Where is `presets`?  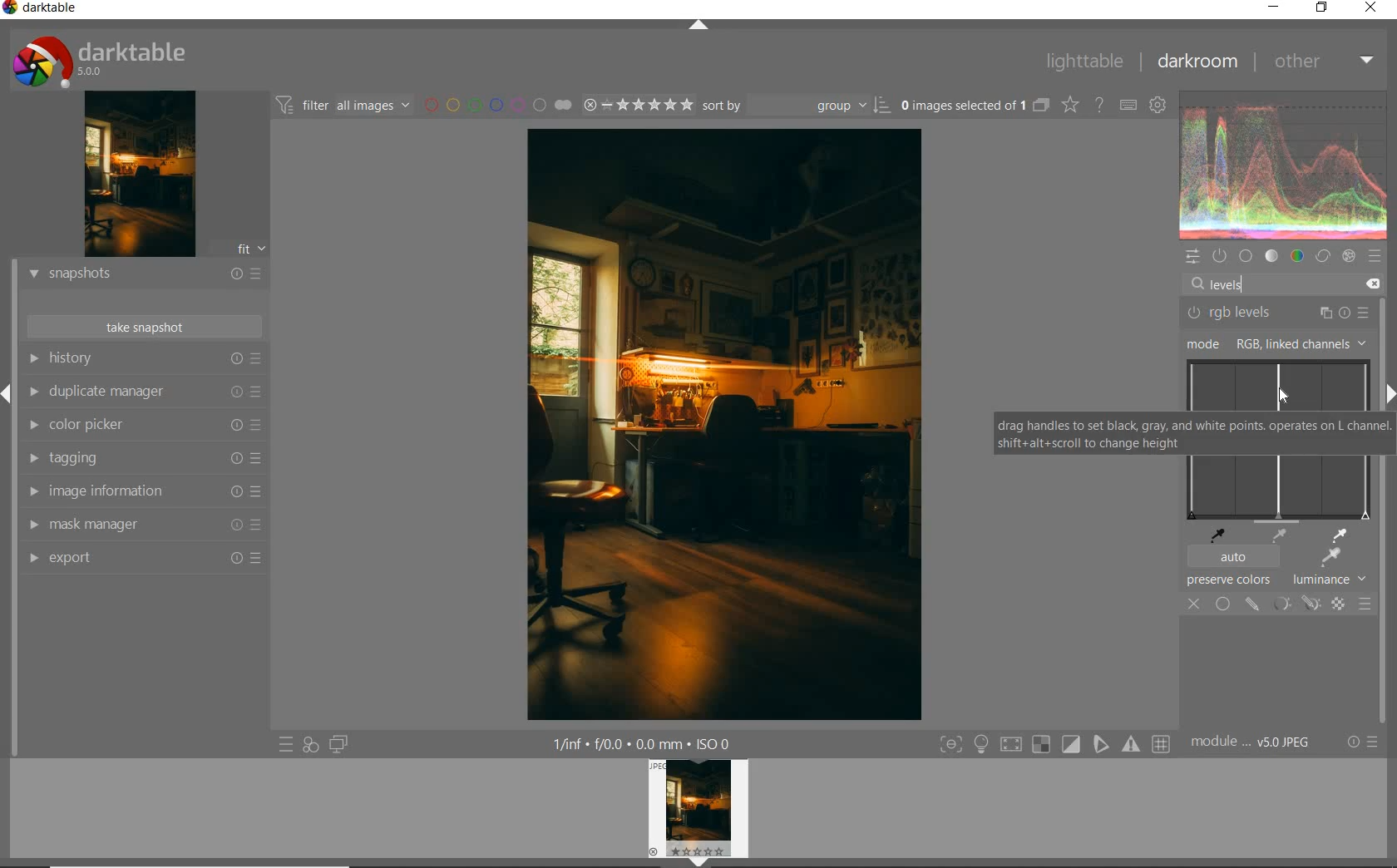 presets is located at coordinates (1378, 256).